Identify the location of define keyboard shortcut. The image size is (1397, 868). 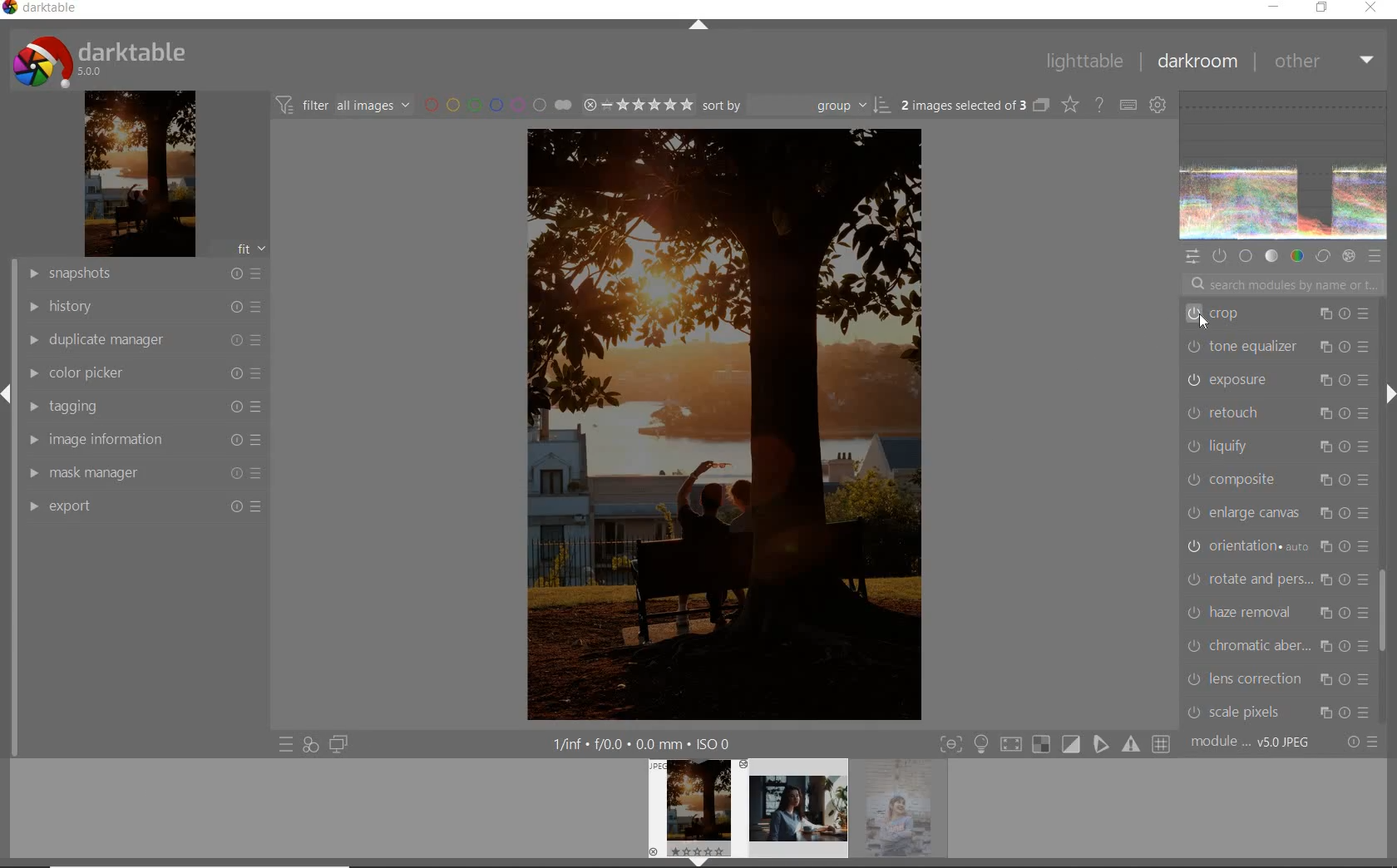
(1128, 104).